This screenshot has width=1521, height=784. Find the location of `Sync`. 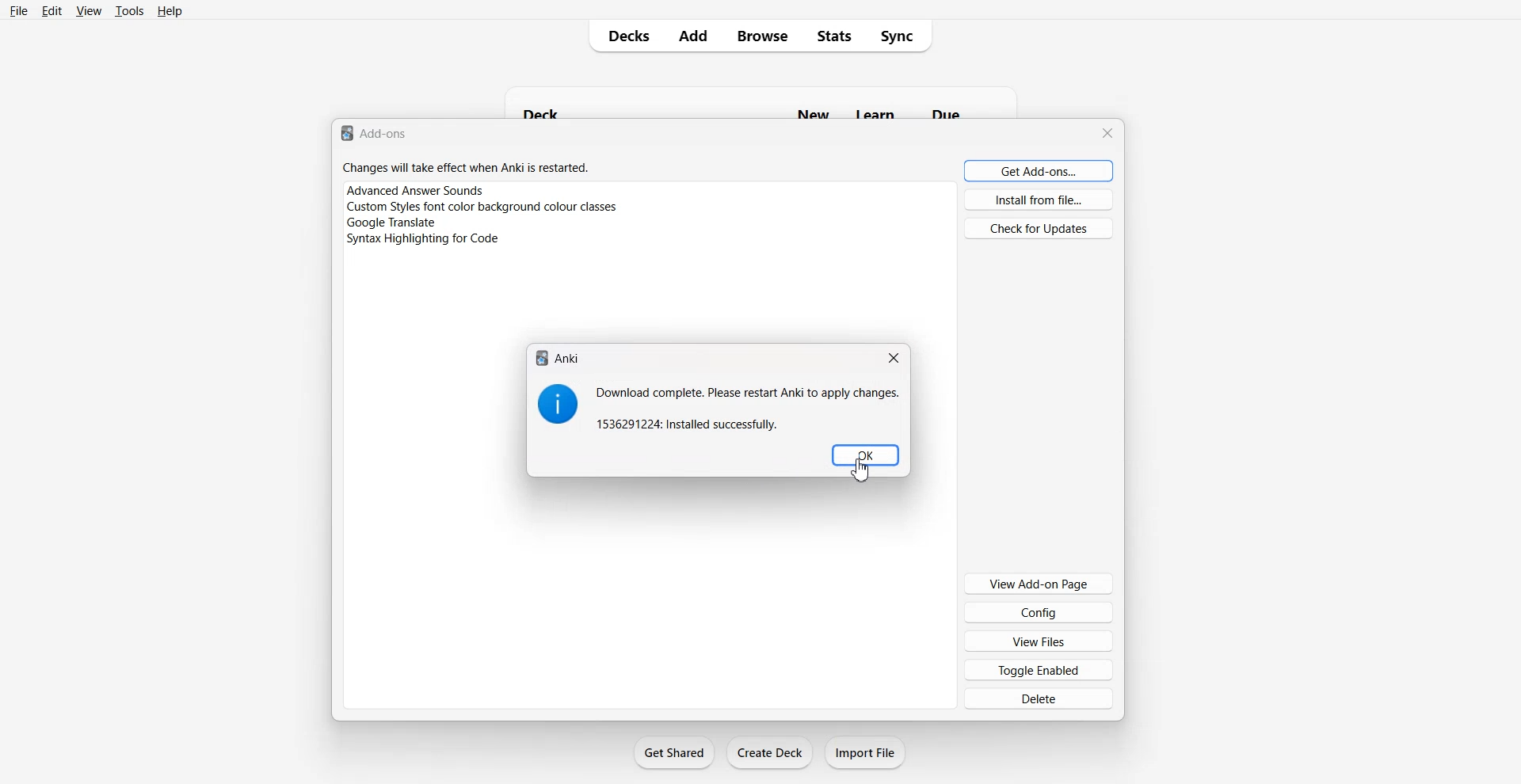

Sync is located at coordinates (902, 36).